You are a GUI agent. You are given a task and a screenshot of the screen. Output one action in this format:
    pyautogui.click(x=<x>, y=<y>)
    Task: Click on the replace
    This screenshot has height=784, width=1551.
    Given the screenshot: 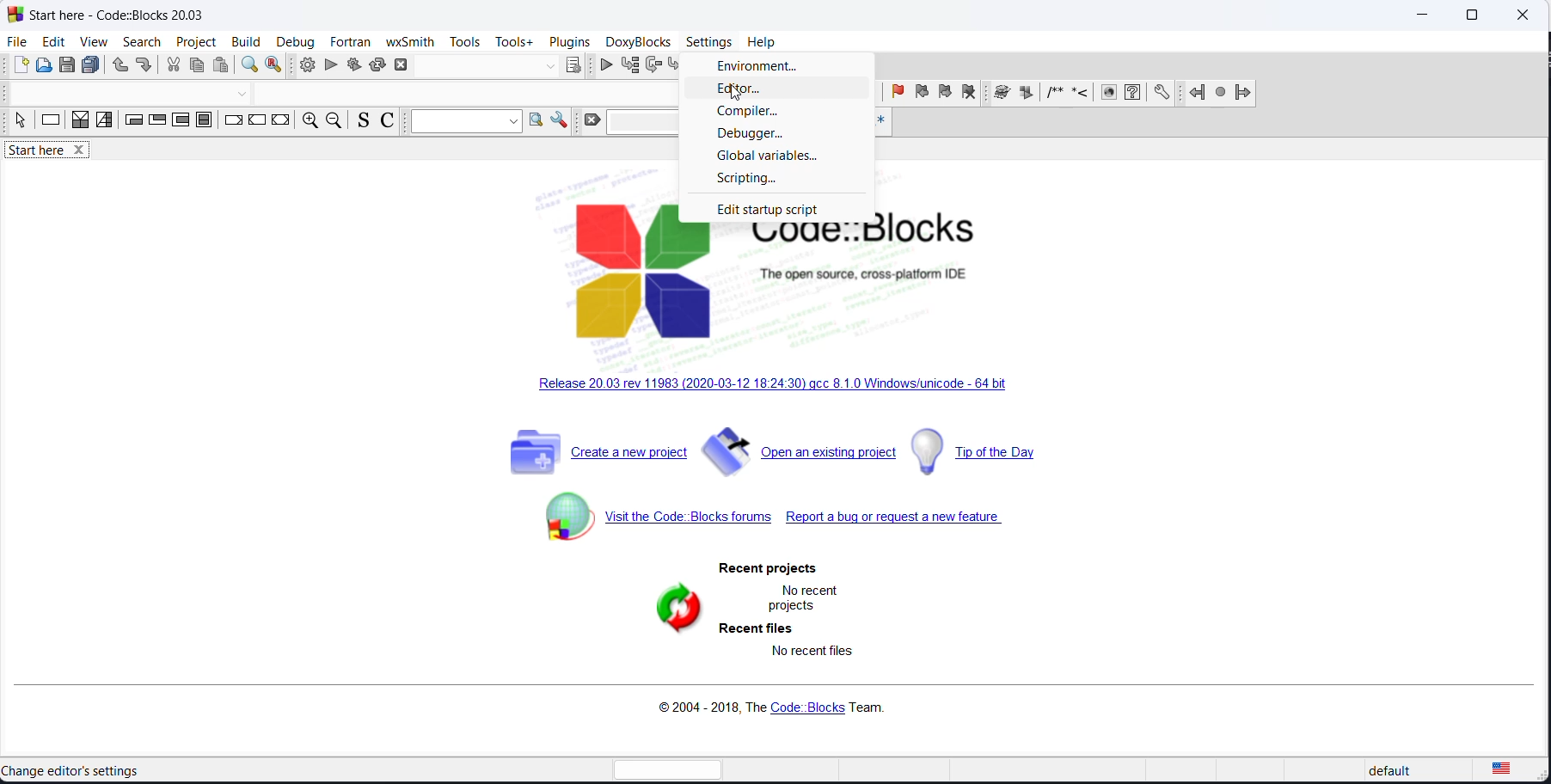 What is the action you would take?
    pyautogui.click(x=277, y=65)
    